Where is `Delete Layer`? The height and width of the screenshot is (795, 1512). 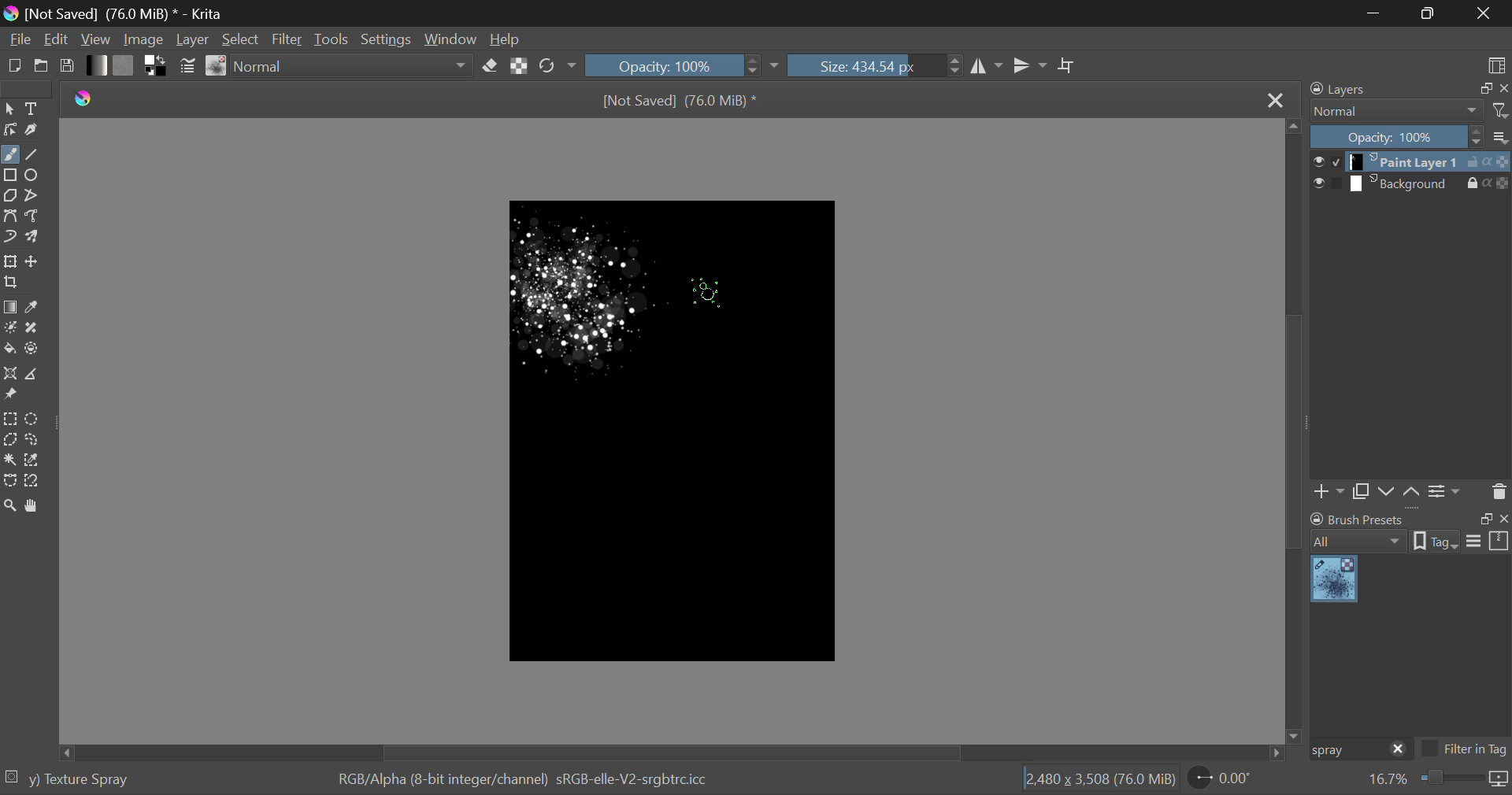 Delete Layer is located at coordinates (1497, 490).